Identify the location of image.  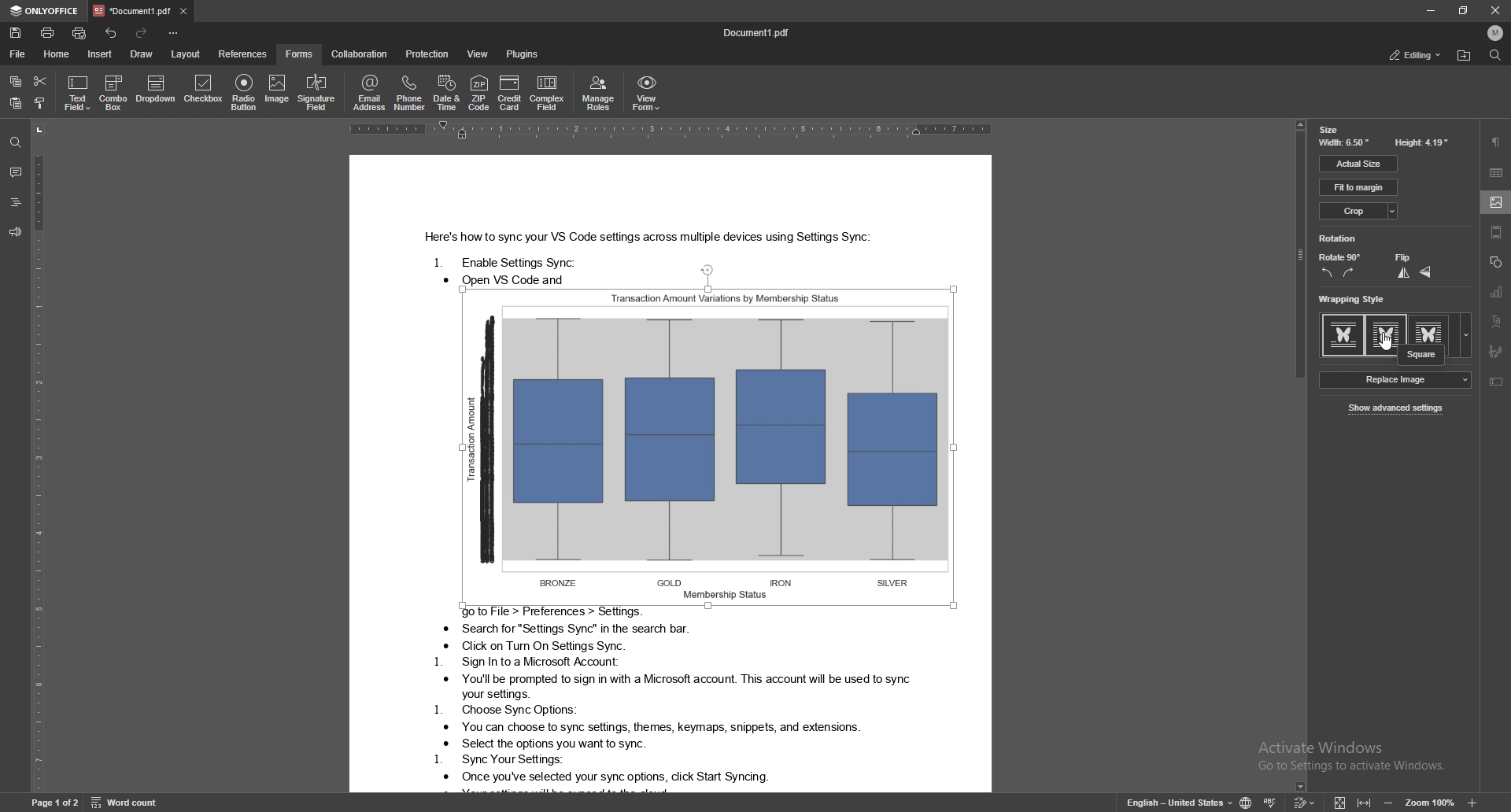
(1496, 201).